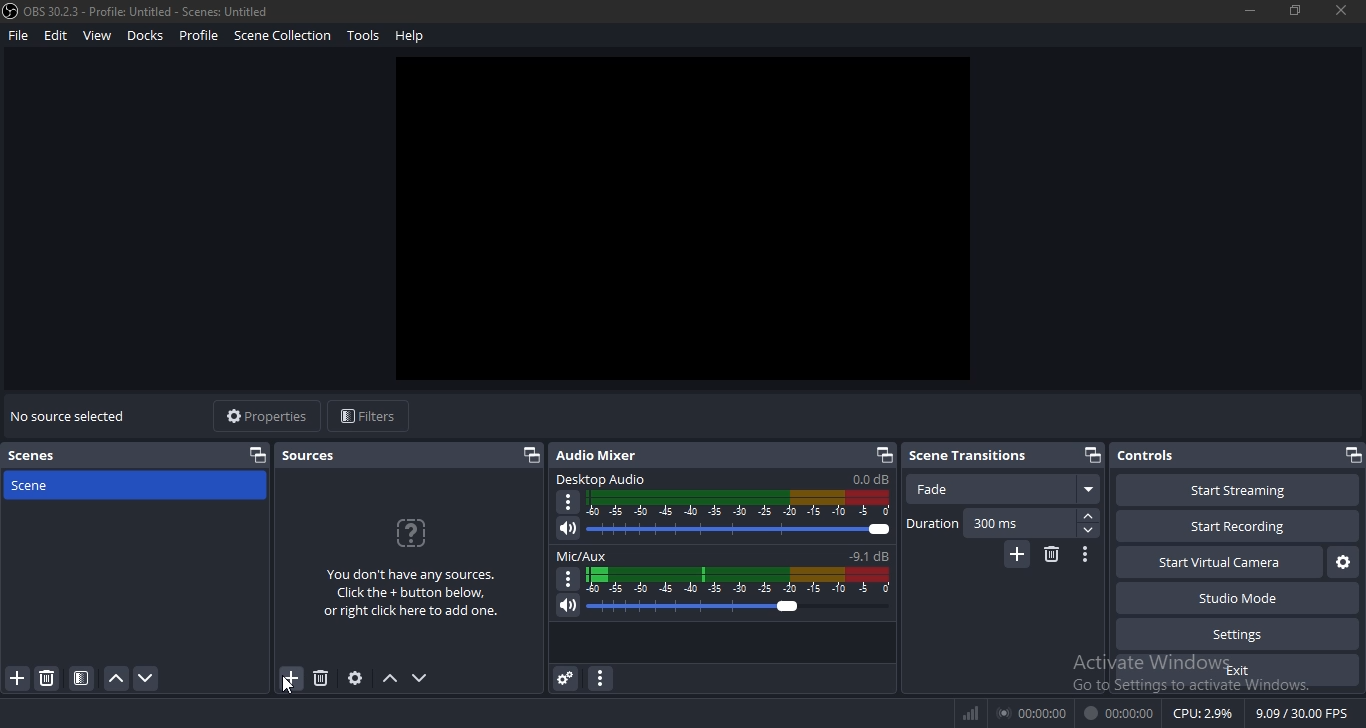  What do you see at coordinates (83, 679) in the screenshot?
I see `configure scene` at bounding box center [83, 679].